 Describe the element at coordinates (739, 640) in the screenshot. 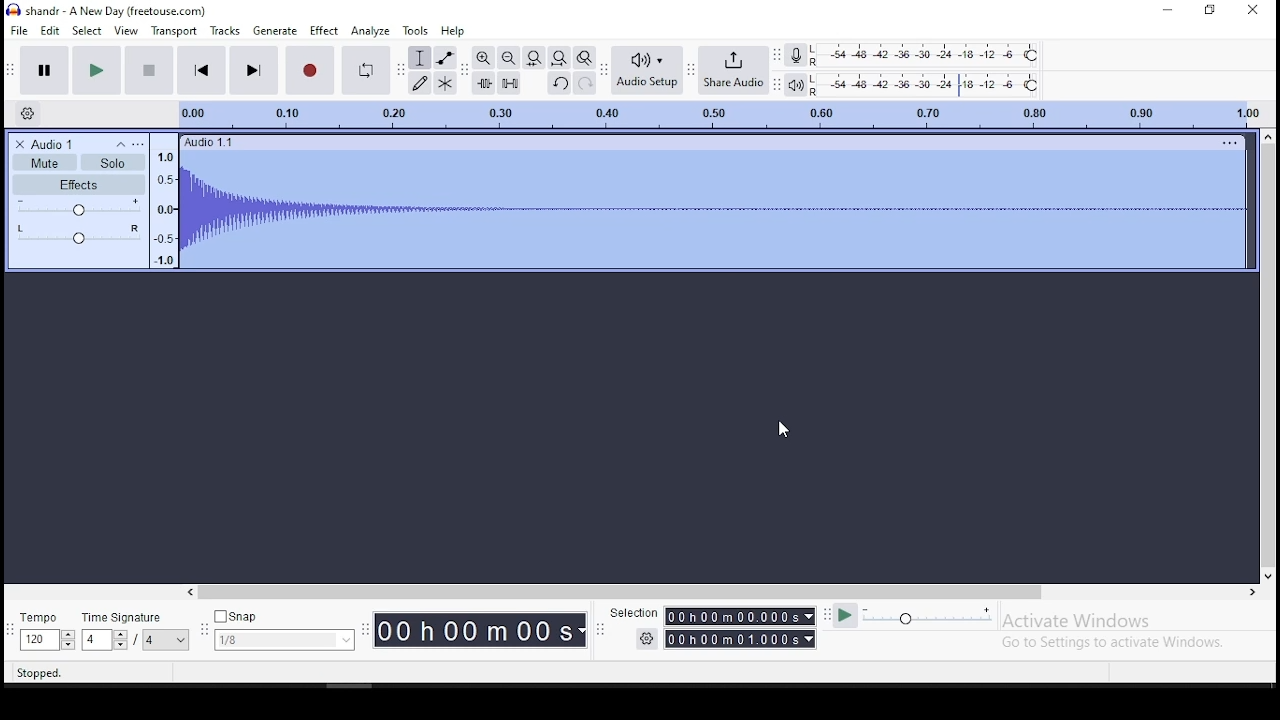

I see `00h00m00s` at that location.